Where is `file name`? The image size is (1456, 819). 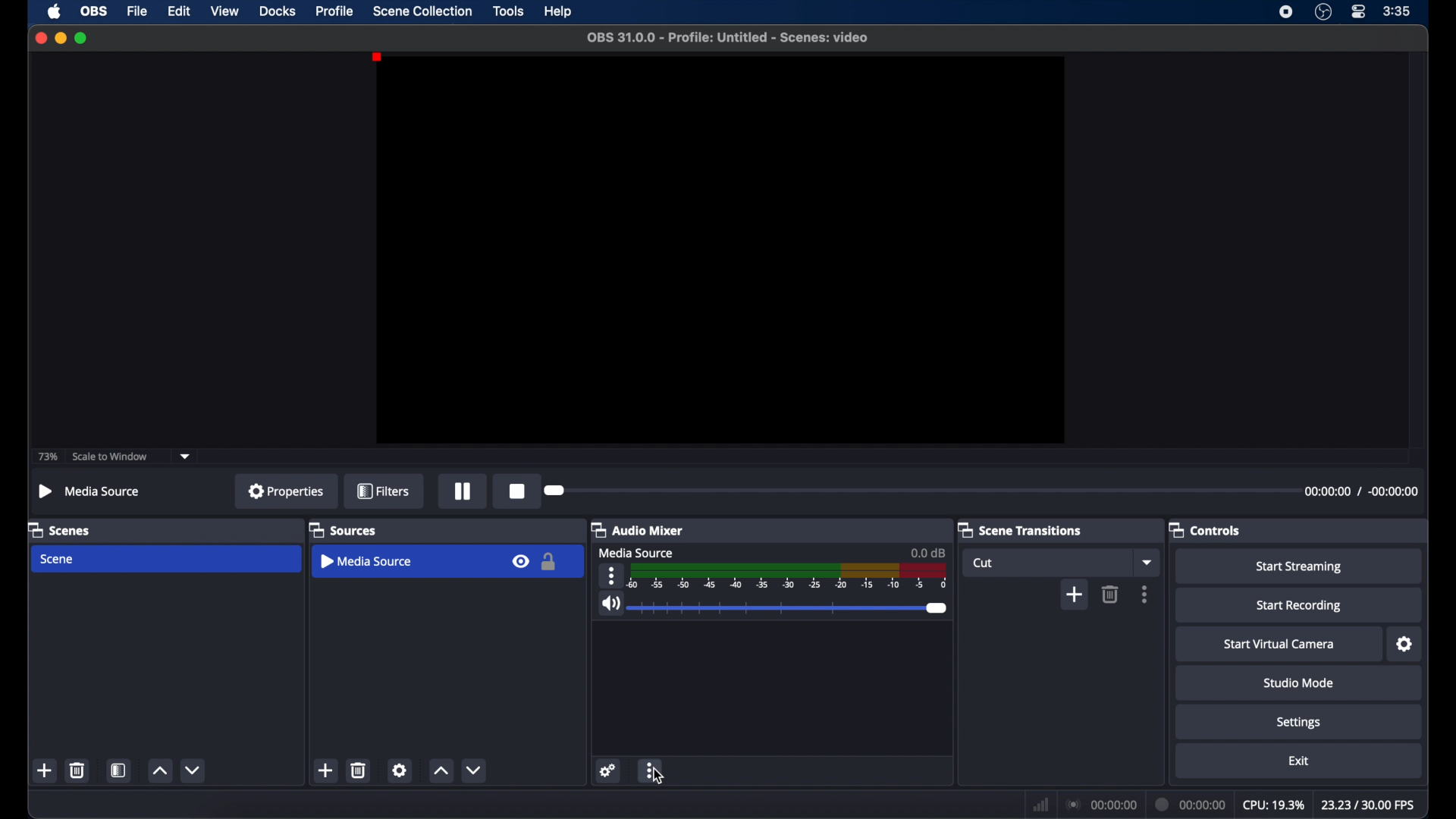
file name is located at coordinates (728, 38).